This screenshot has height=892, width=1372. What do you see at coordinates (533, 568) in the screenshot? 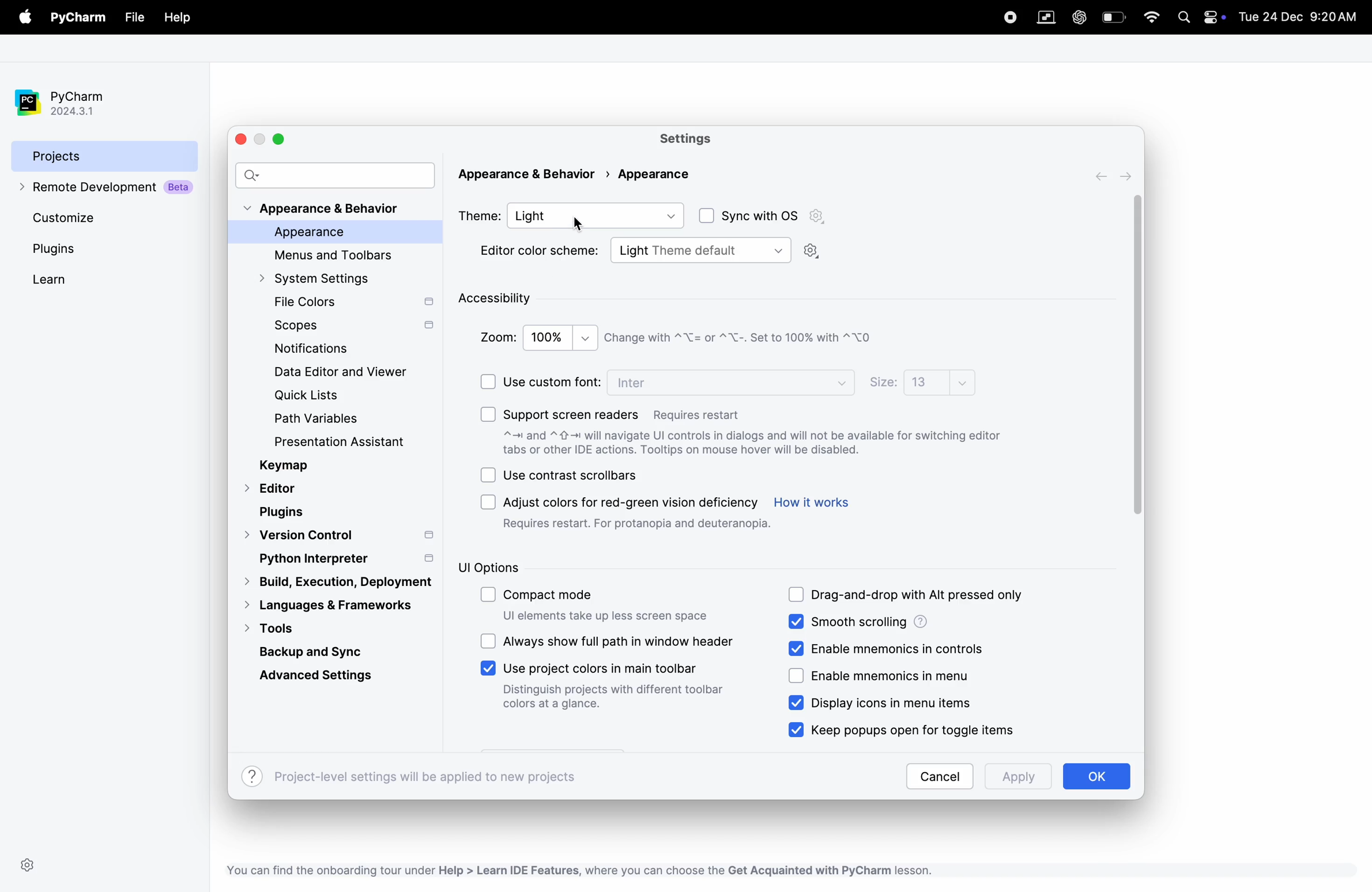
I see `Ui options` at bounding box center [533, 568].